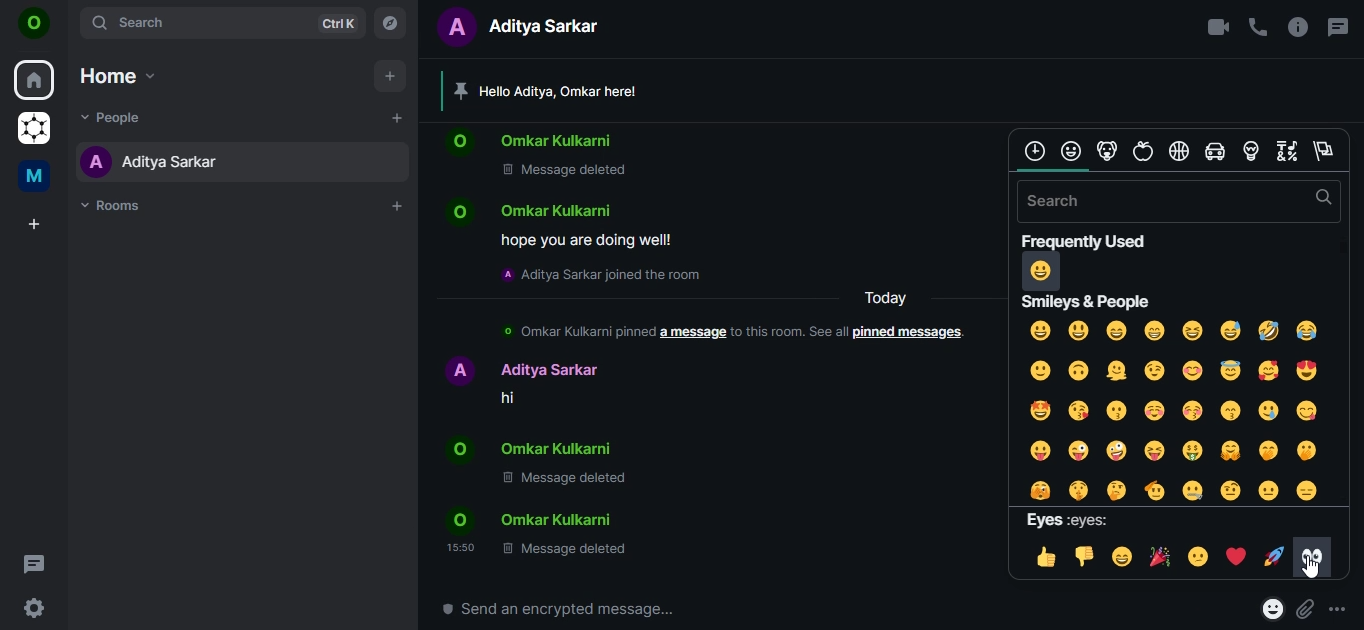  Describe the element at coordinates (1232, 489) in the screenshot. I see `face with raised eyebrow` at that location.